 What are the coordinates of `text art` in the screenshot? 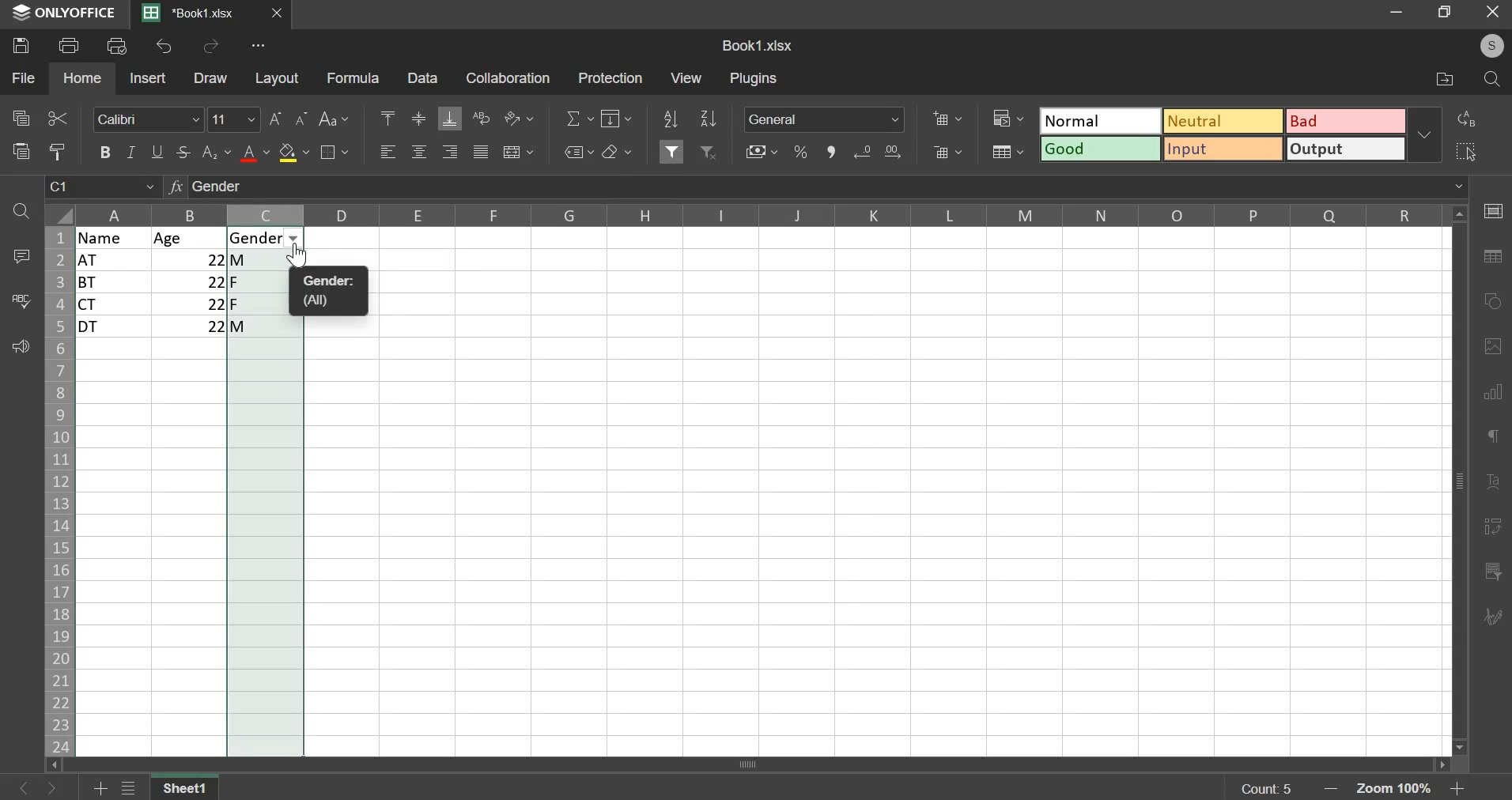 It's located at (1493, 484).